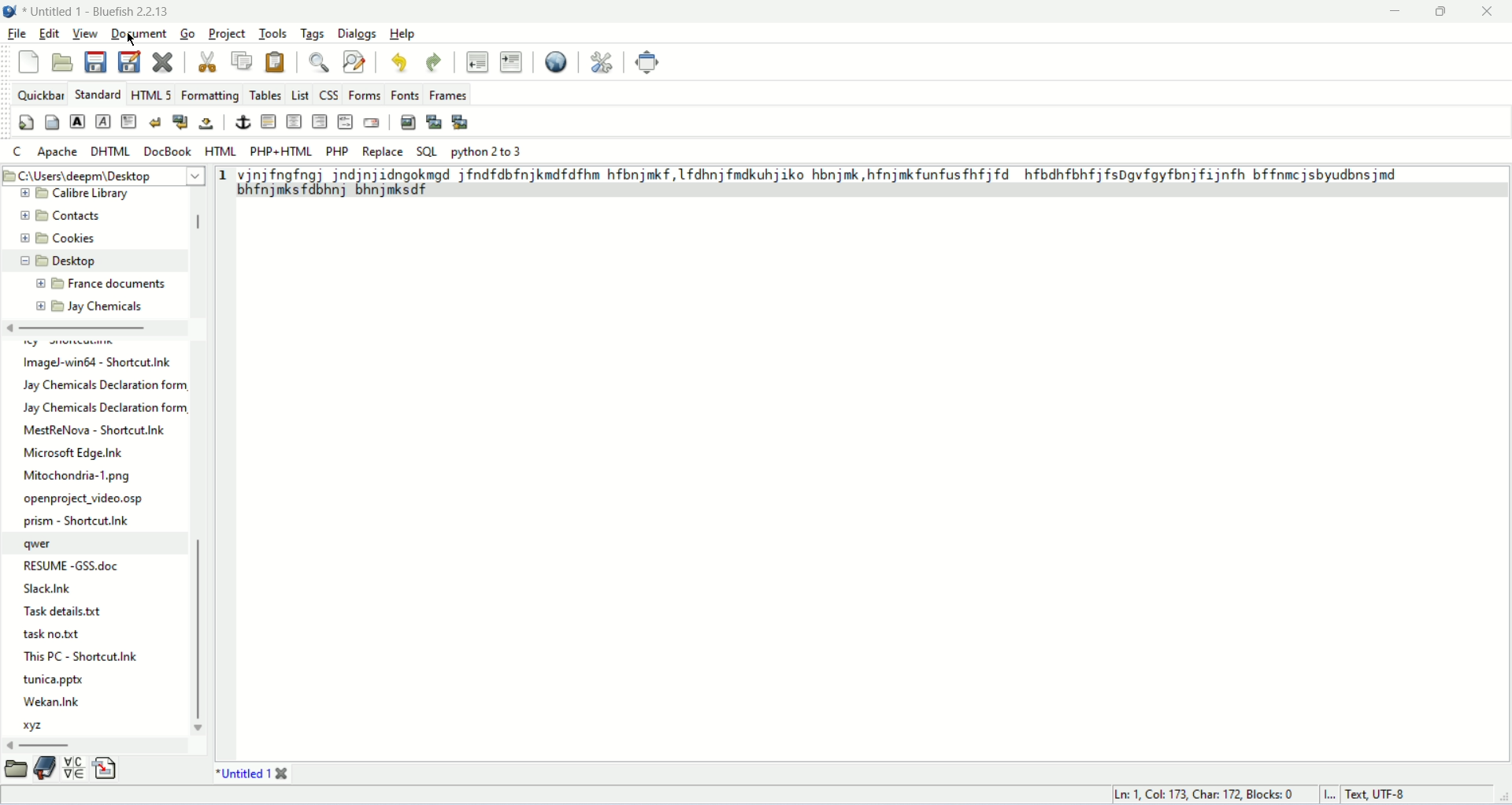 This screenshot has height=805, width=1512. Describe the element at coordinates (165, 61) in the screenshot. I see `close` at that location.